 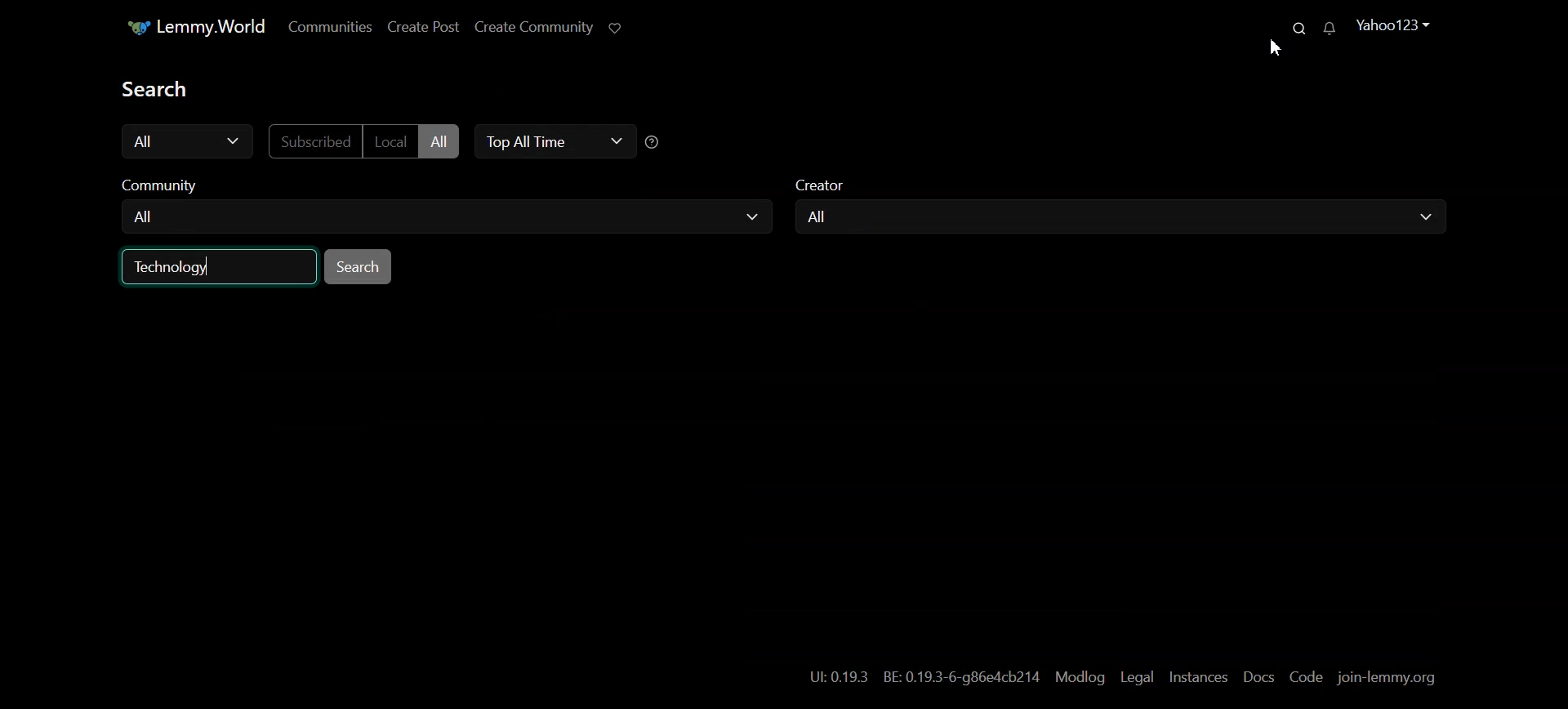 What do you see at coordinates (1080, 675) in the screenshot?
I see `Modlog` at bounding box center [1080, 675].